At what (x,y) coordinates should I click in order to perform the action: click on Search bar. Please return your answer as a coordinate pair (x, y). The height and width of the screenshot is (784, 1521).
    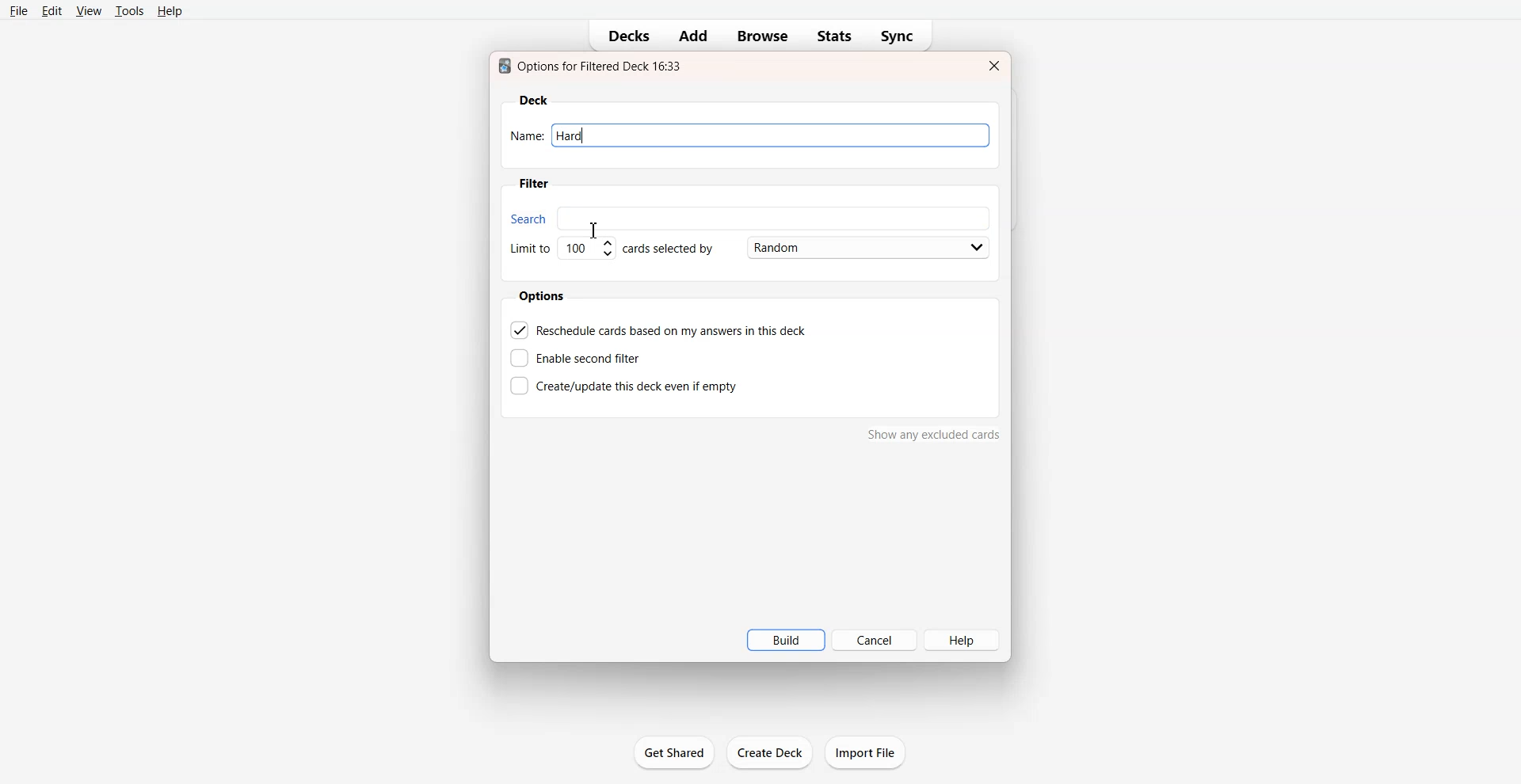
    Looking at the image, I should click on (745, 216).